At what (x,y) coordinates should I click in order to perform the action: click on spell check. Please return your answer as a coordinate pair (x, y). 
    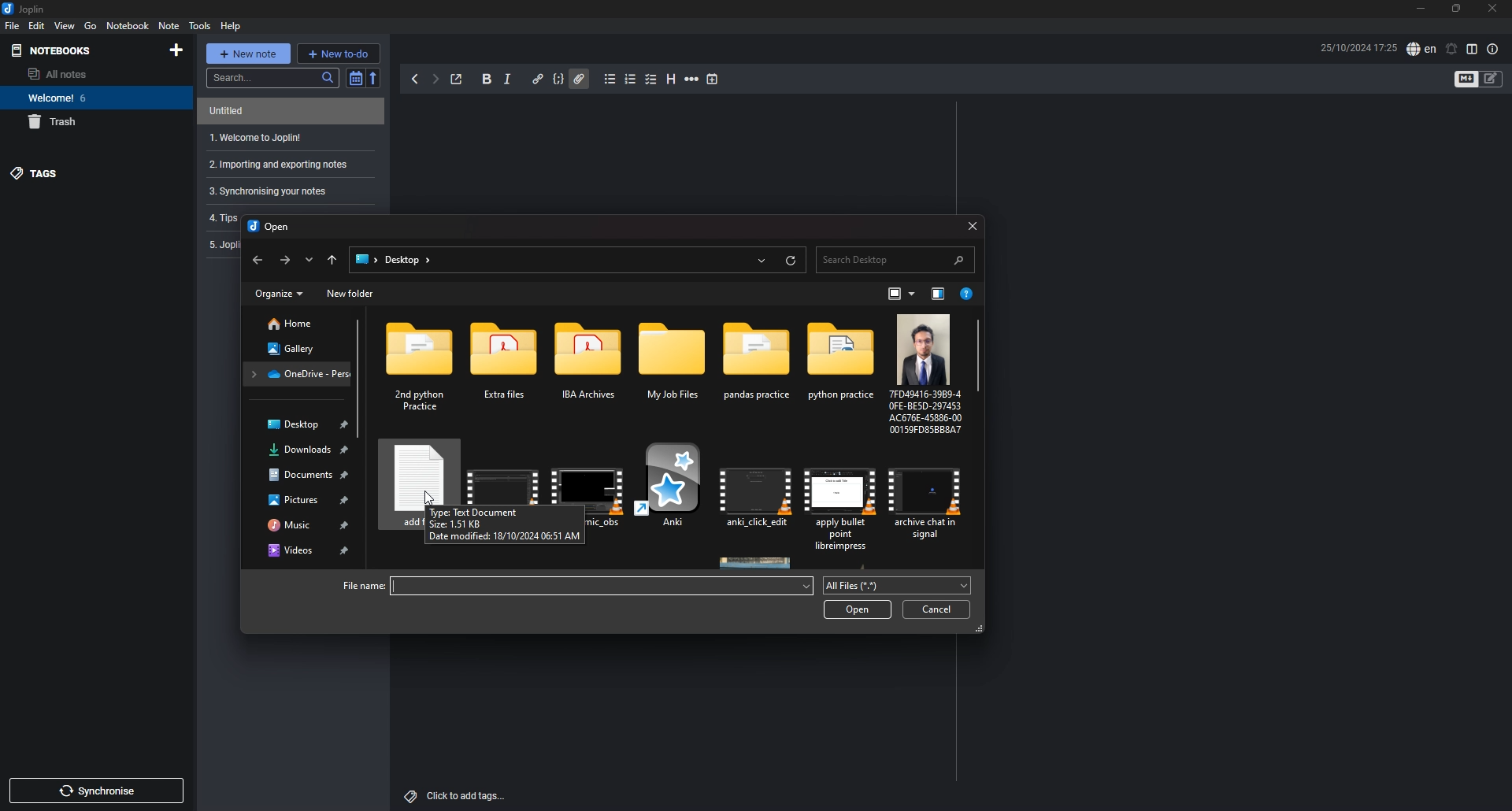
    Looking at the image, I should click on (1421, 49).